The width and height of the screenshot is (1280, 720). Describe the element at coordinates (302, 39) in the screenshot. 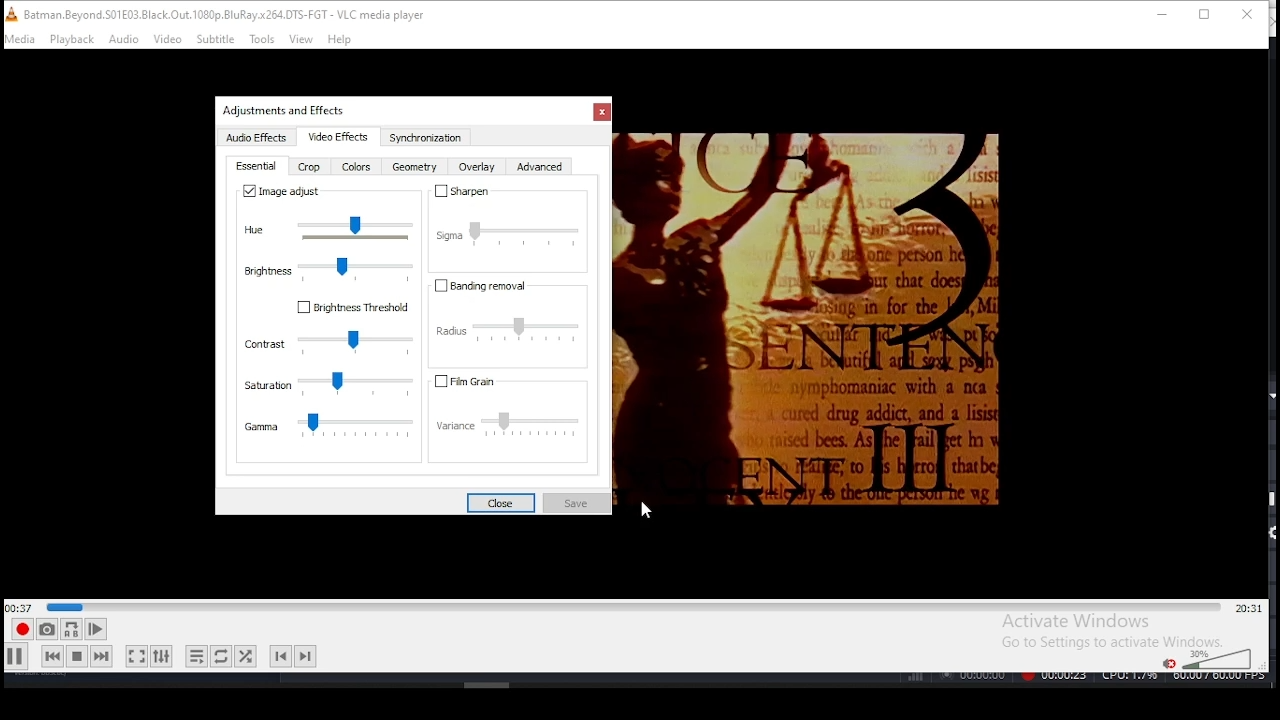

I see `view` at that location.